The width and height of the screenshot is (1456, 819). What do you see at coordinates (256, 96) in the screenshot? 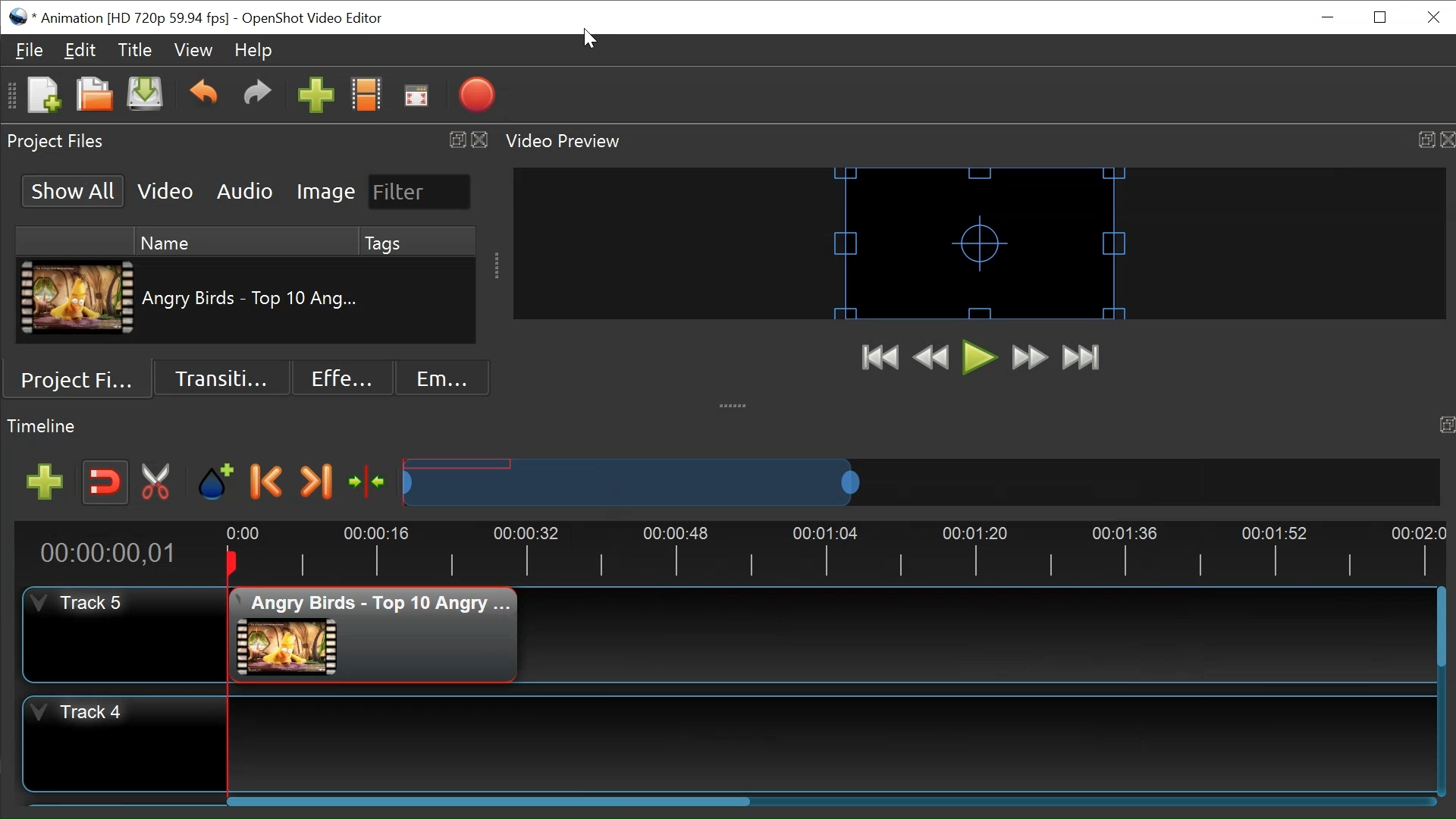
I see `Redo` at bounding box center [256, 96].